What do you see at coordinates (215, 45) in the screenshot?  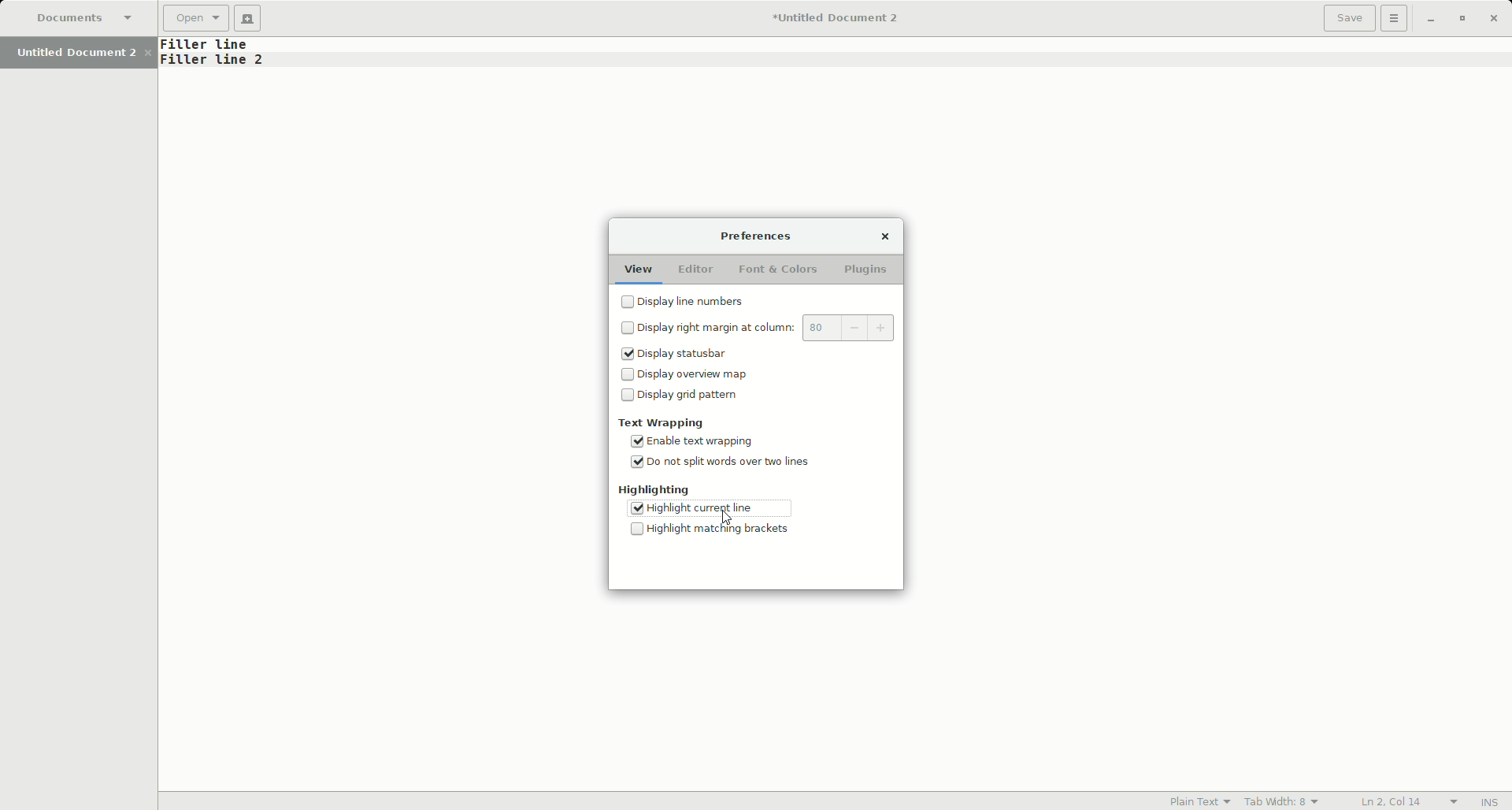 I see `Text line 1` at bounding box center [215, 45].